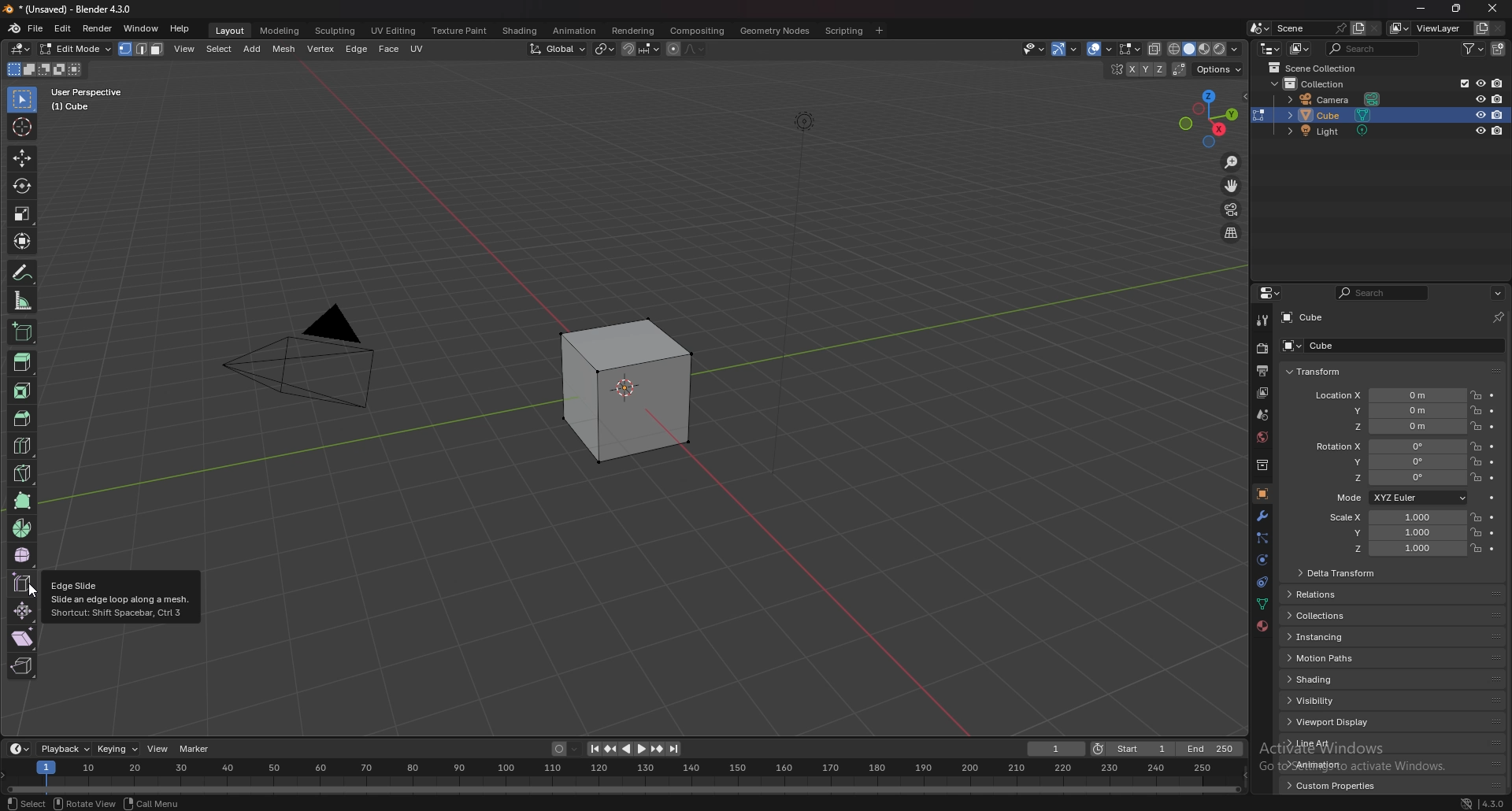 The image size is (1512, 811). Describe the element at coordinates (1498, 28) in the screenshot. I see `remove view layer` at that location.